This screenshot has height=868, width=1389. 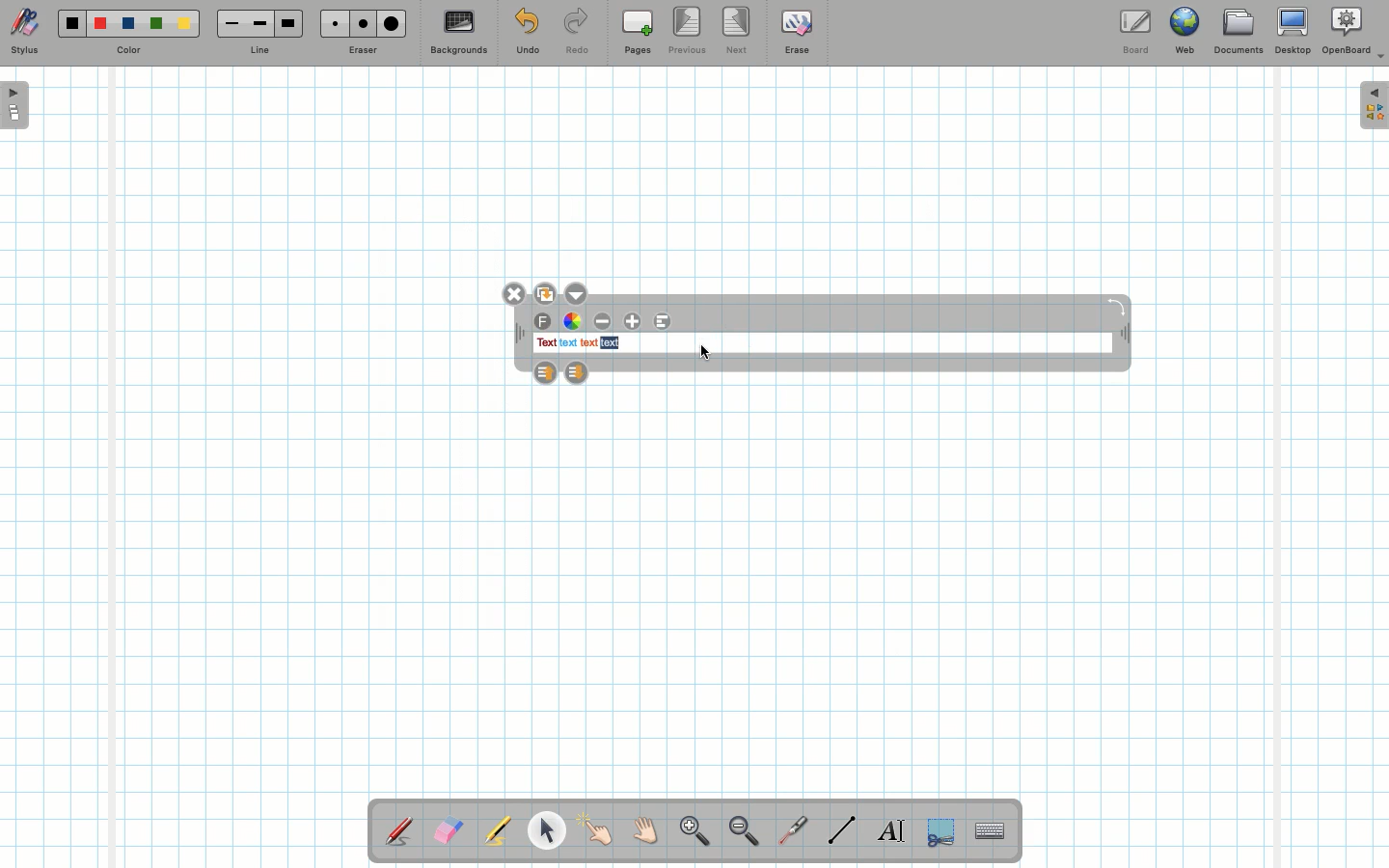 What do you see at coordinates (704, 353) in the screenshot?
I see `cursor` at bounding box center [704, 353].